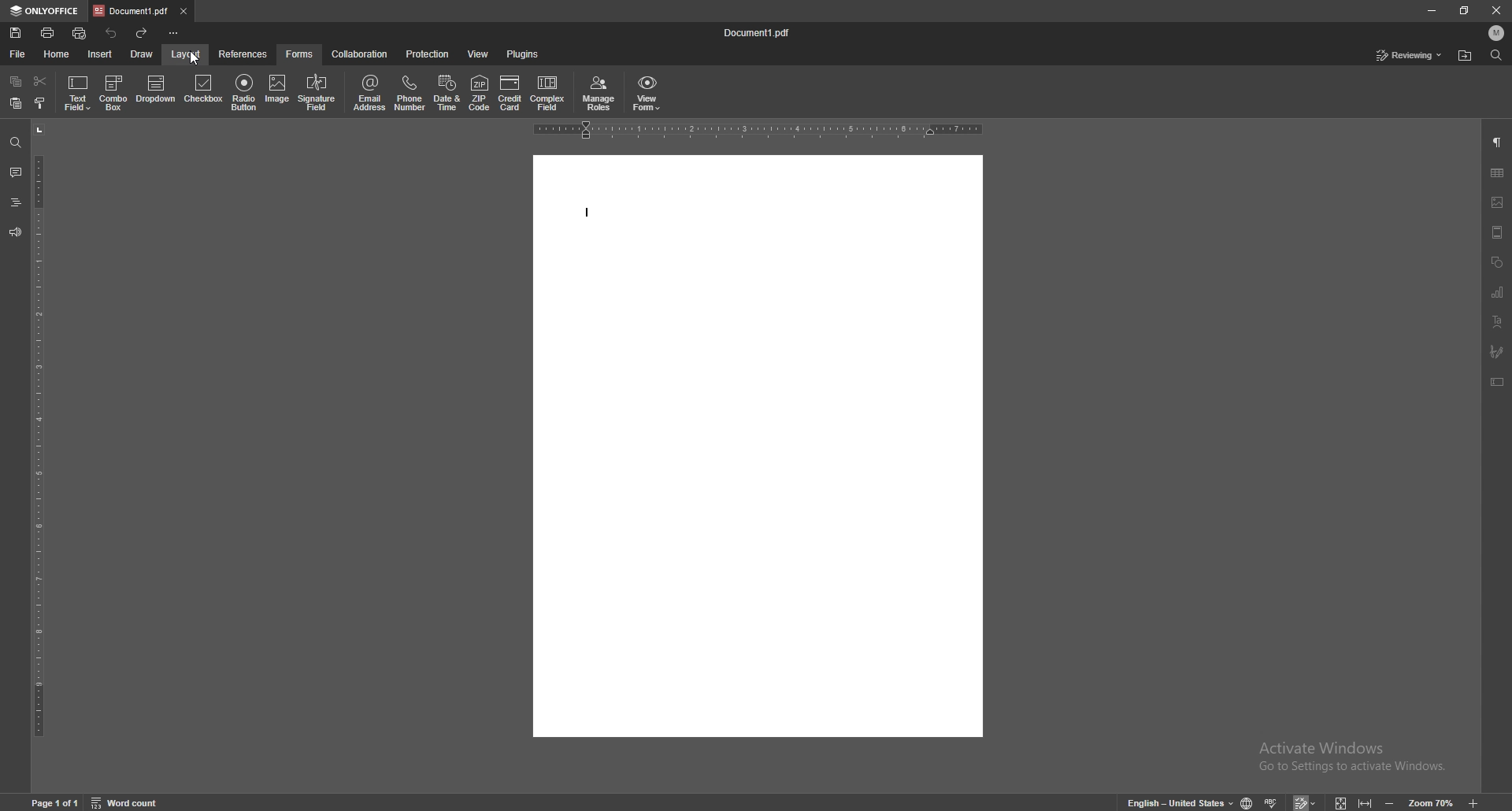 The height and width of the screenshot is (811, 1512). I want to click on image, so click(278, 90).